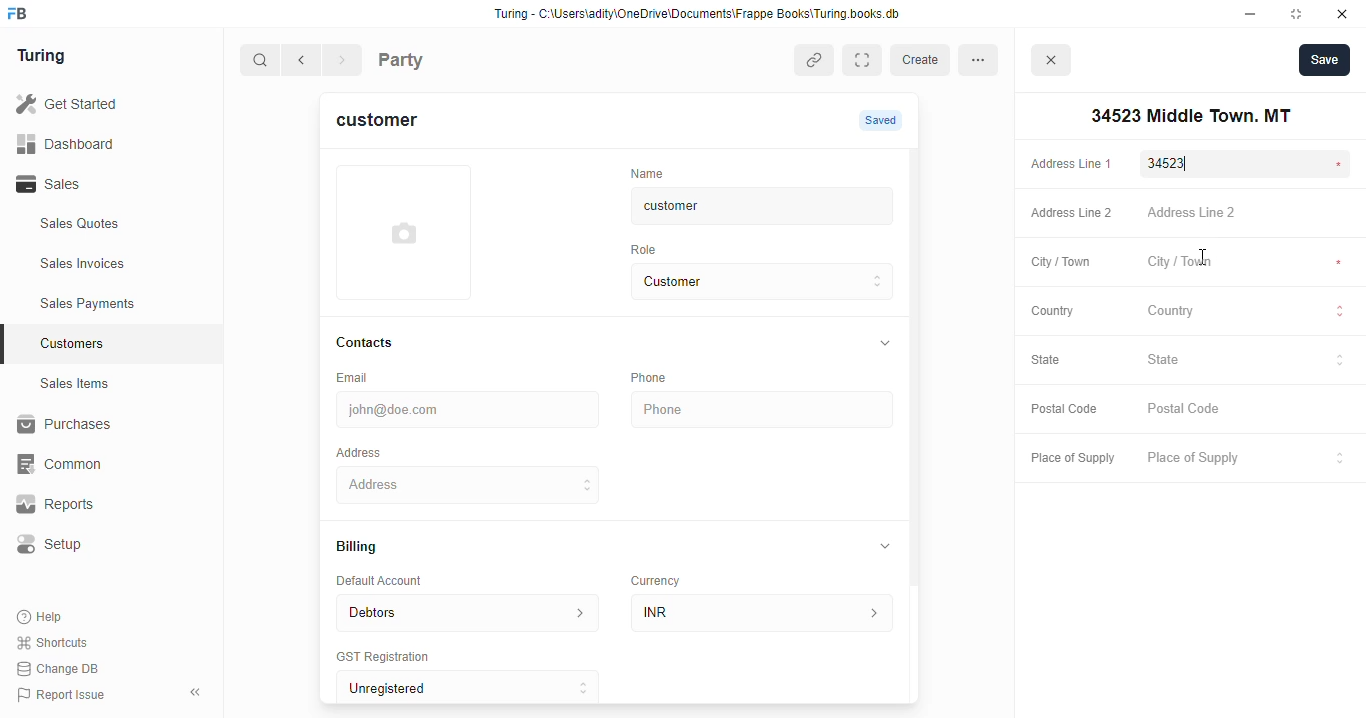 The height and width of the screenshot is (718, 1366). What do you see at coordinates (477, 688) in the screenshot?
I see `Unregistered` at bounding box center [477, 688].